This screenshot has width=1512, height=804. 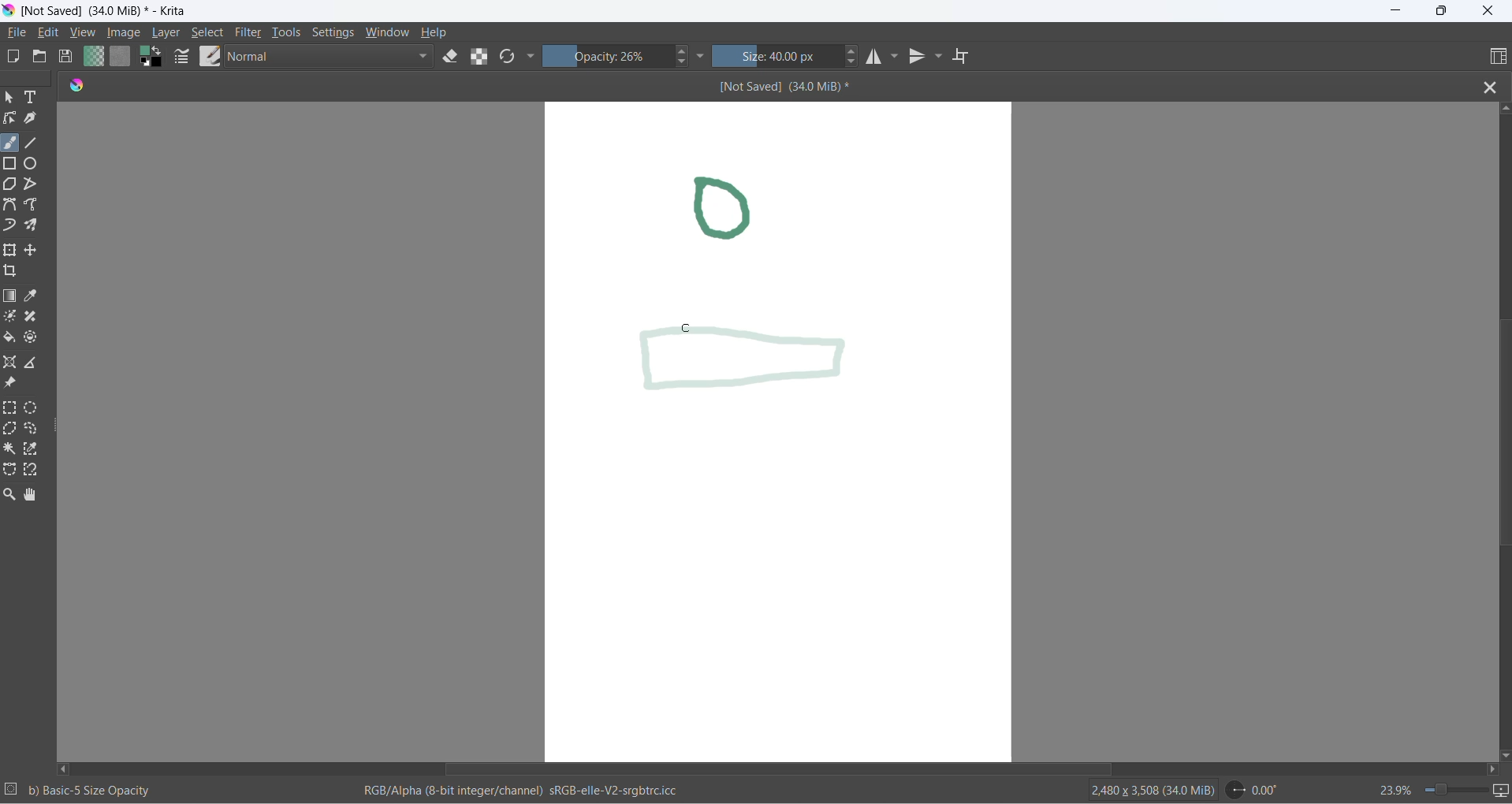 What do you see at coordinates (40, 143) in the screenshot?
I see `line tool` at bounding box center [40, 143].